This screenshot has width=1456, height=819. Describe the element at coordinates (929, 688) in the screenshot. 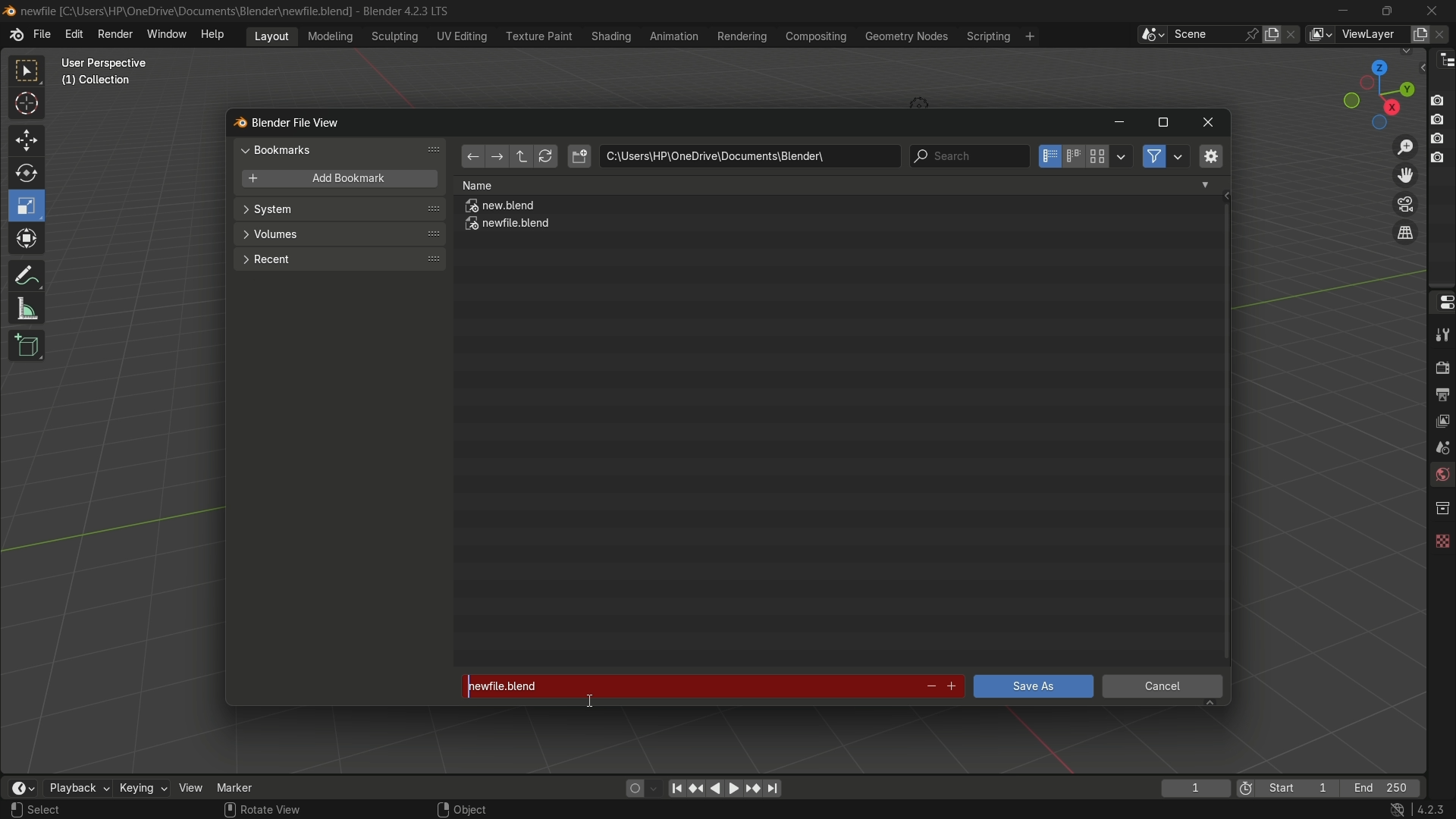

I see `decrement number in file name` at that location.